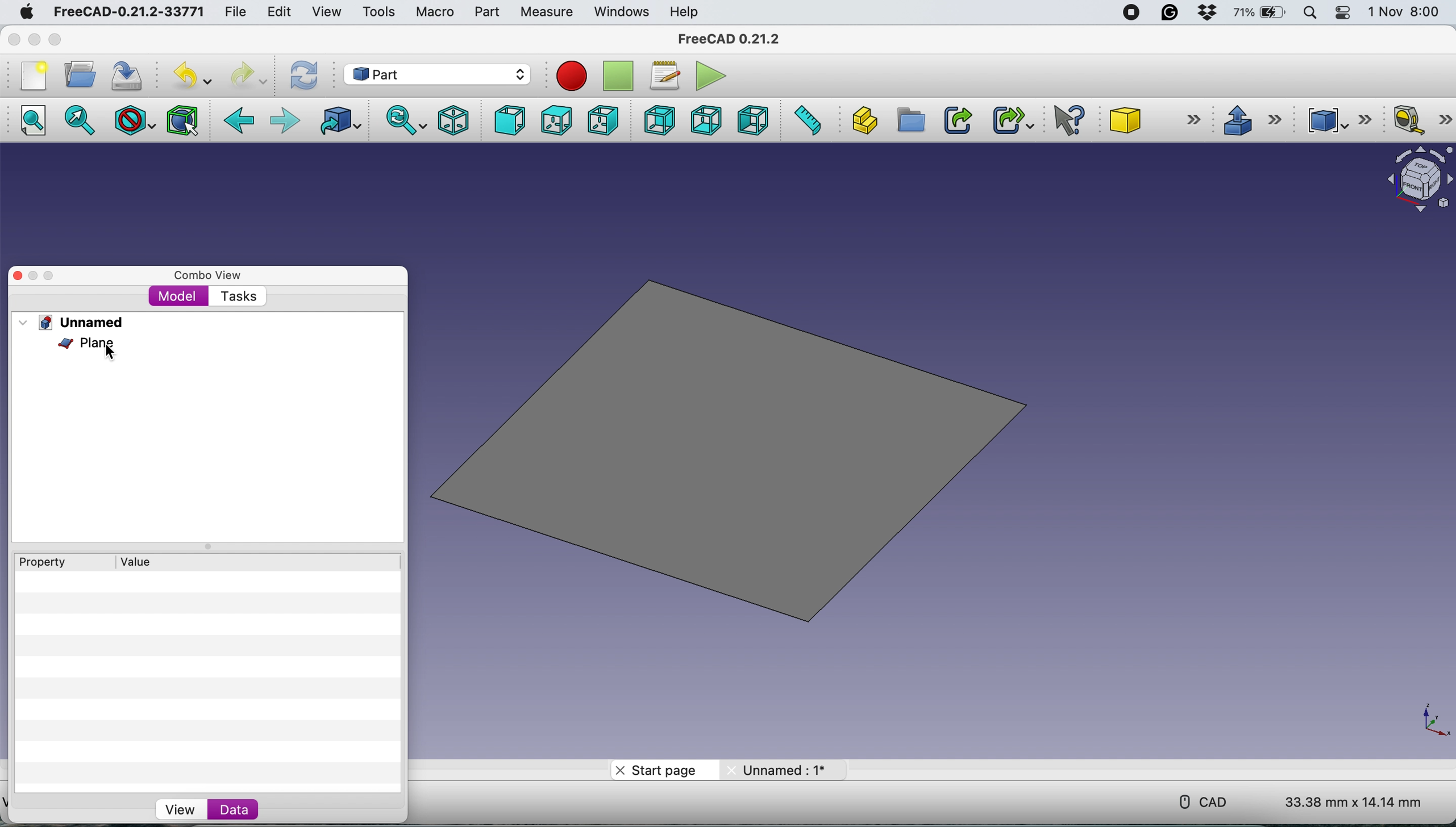 The width and height of the screenshot is (1456, 827). What do you see at coordinates (49, 561) in the screenshot?
I see `property` at bounding box center [49, 561].